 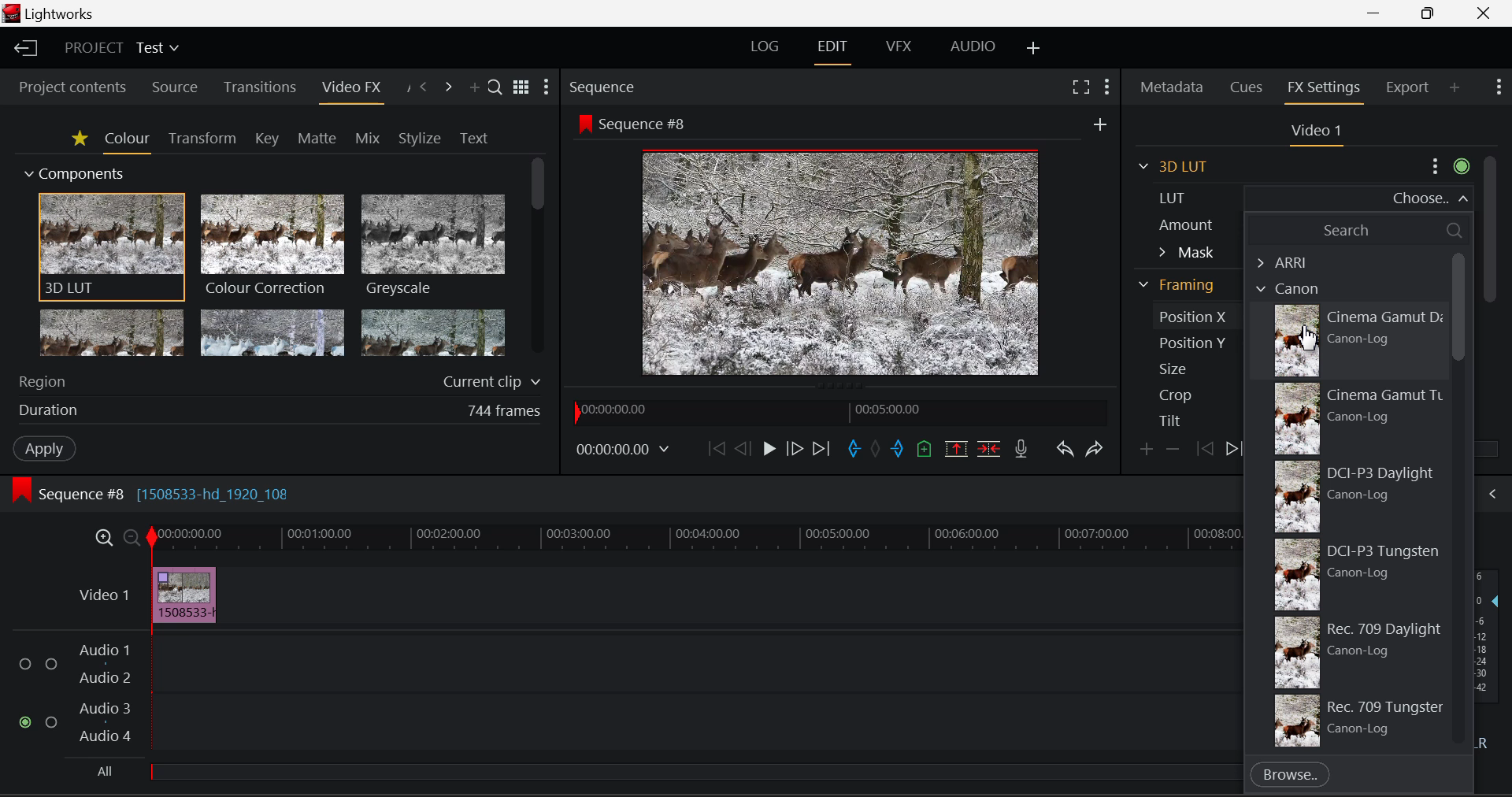 What do you see at coordinates (1180, 165) in the screenshot?
I see `3D LUT Section` at bounding box center [1180, 165].